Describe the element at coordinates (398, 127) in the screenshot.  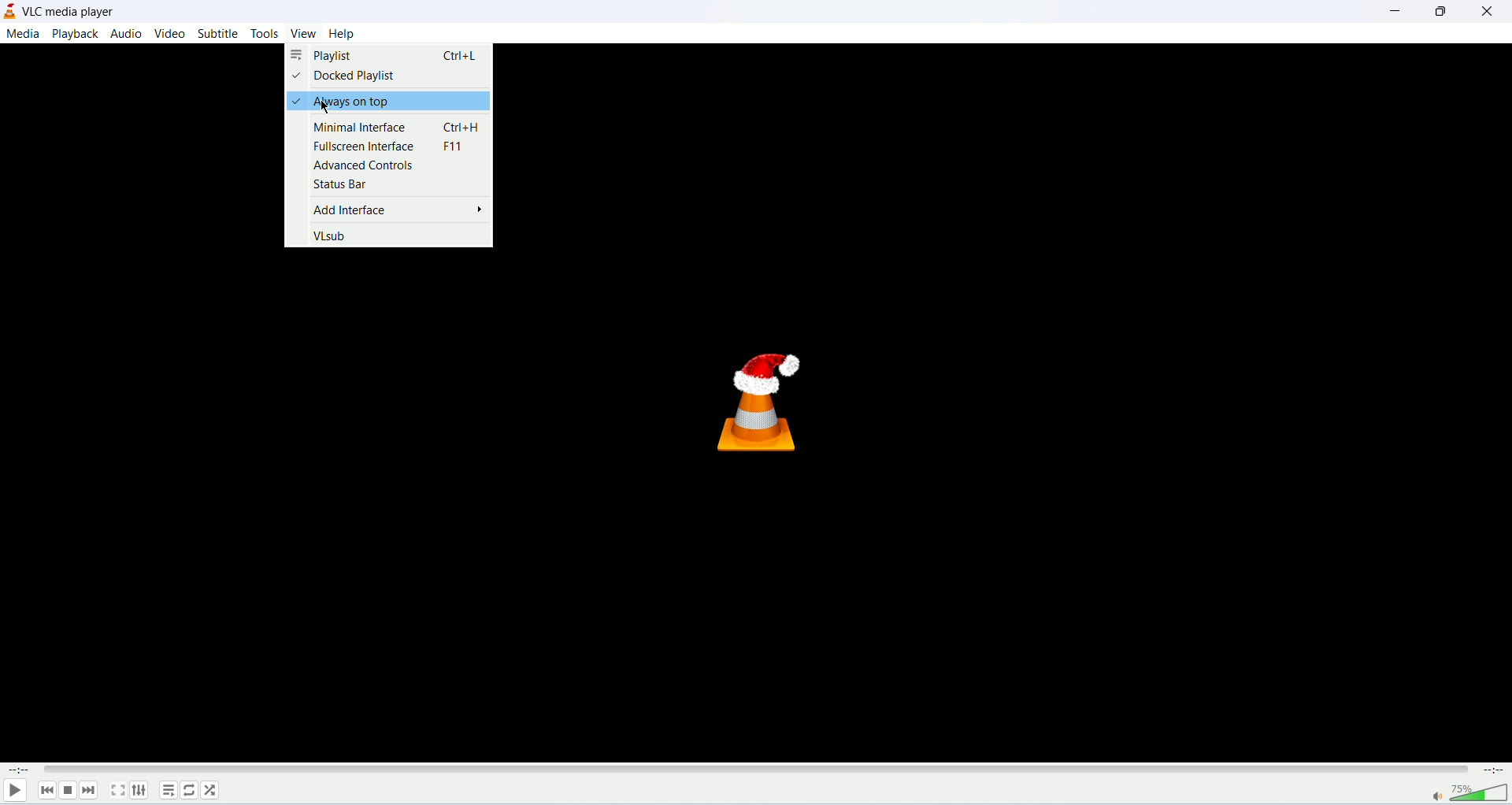
I see `minimal interface` at that location.